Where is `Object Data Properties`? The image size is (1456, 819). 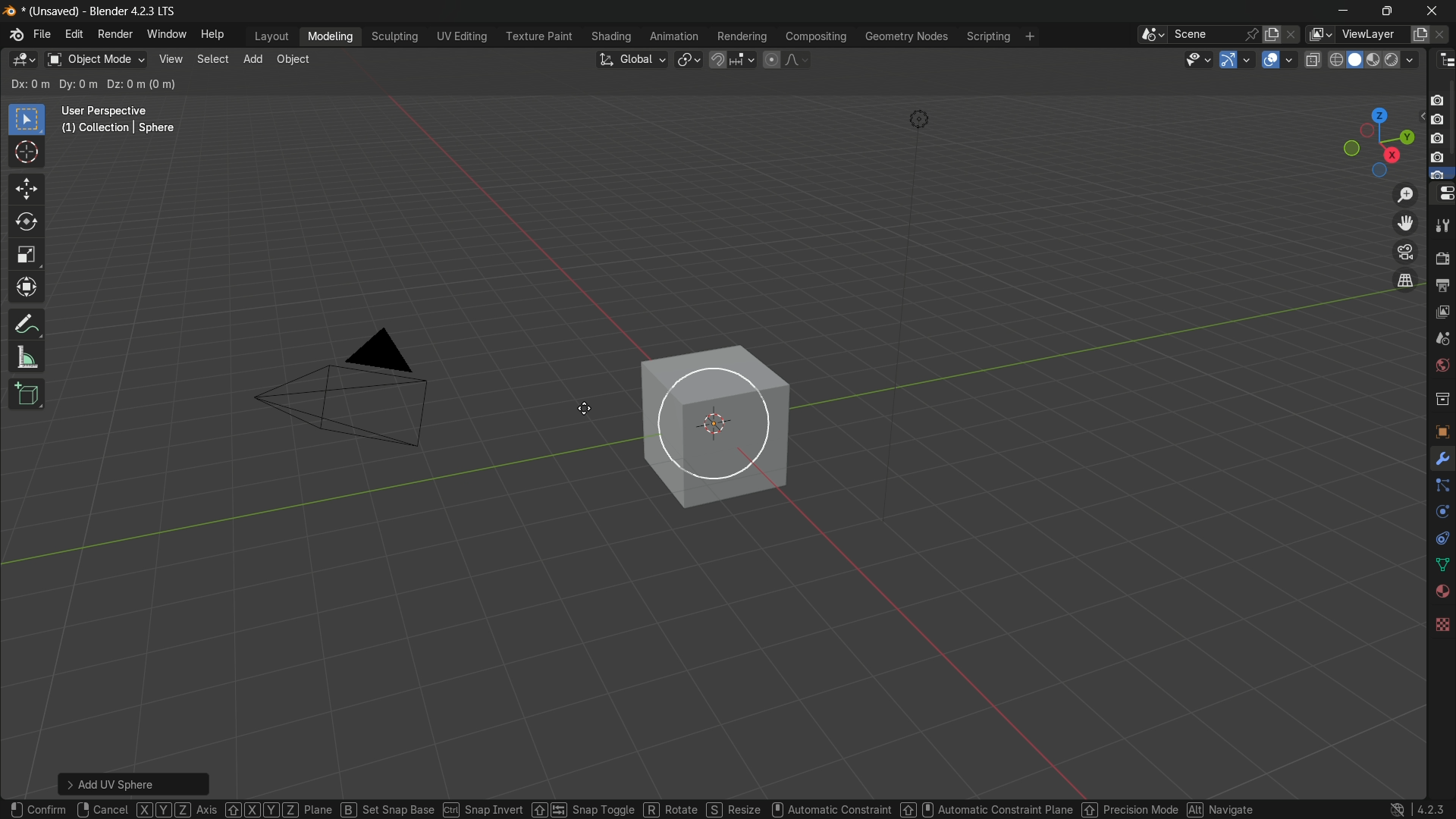
Object Data Properties is located at coordinates (1441, 512).